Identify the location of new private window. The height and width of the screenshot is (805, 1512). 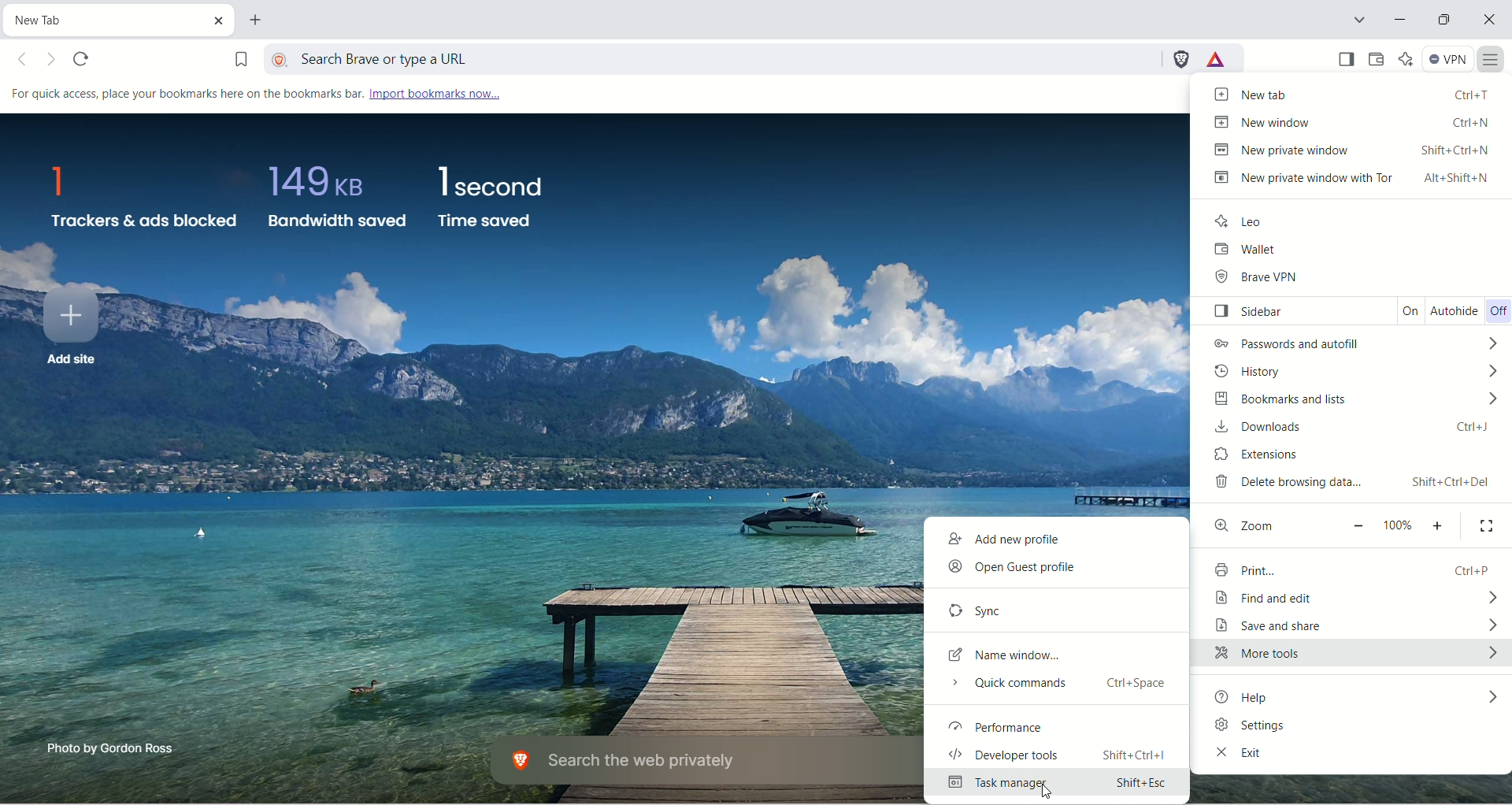
(1346, 147).